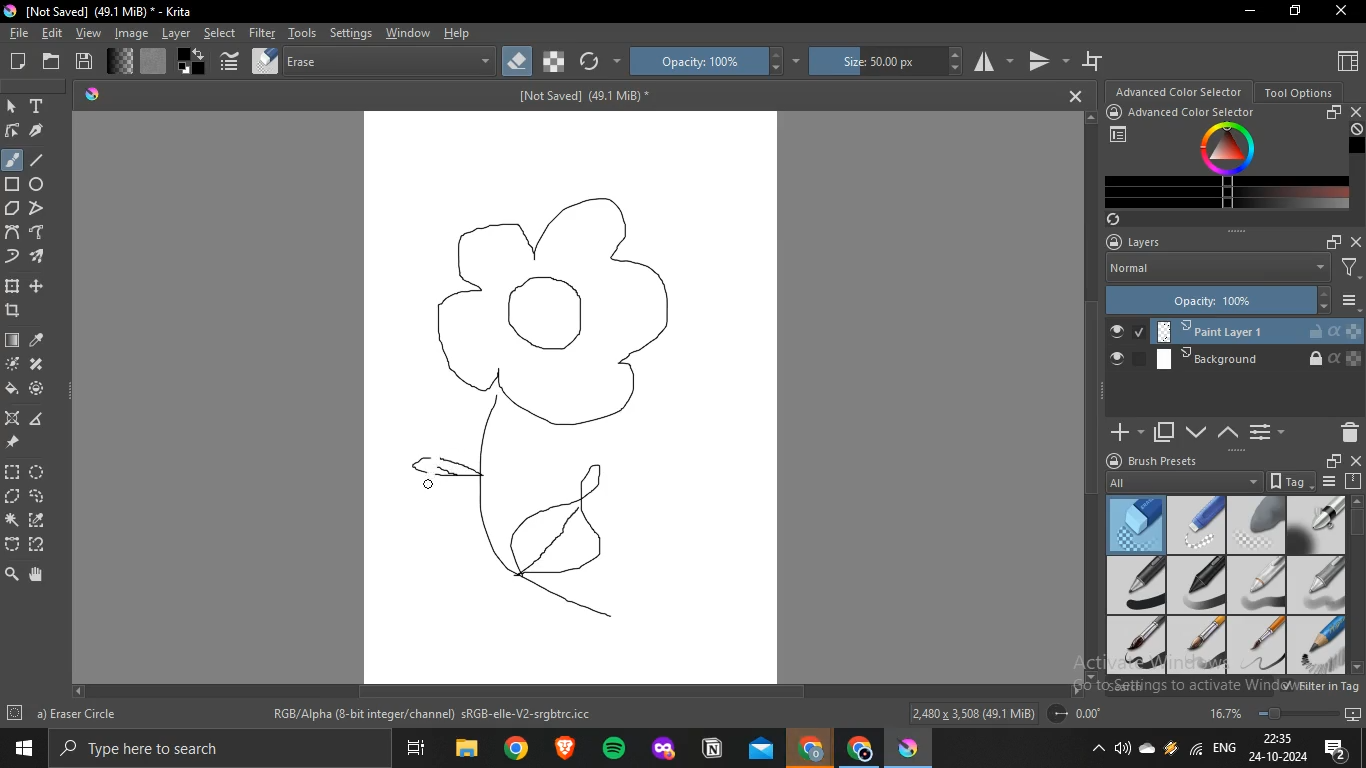  Describe the element at coordinates (1216, 271) in the screenshot. I see `Normal` at that location.